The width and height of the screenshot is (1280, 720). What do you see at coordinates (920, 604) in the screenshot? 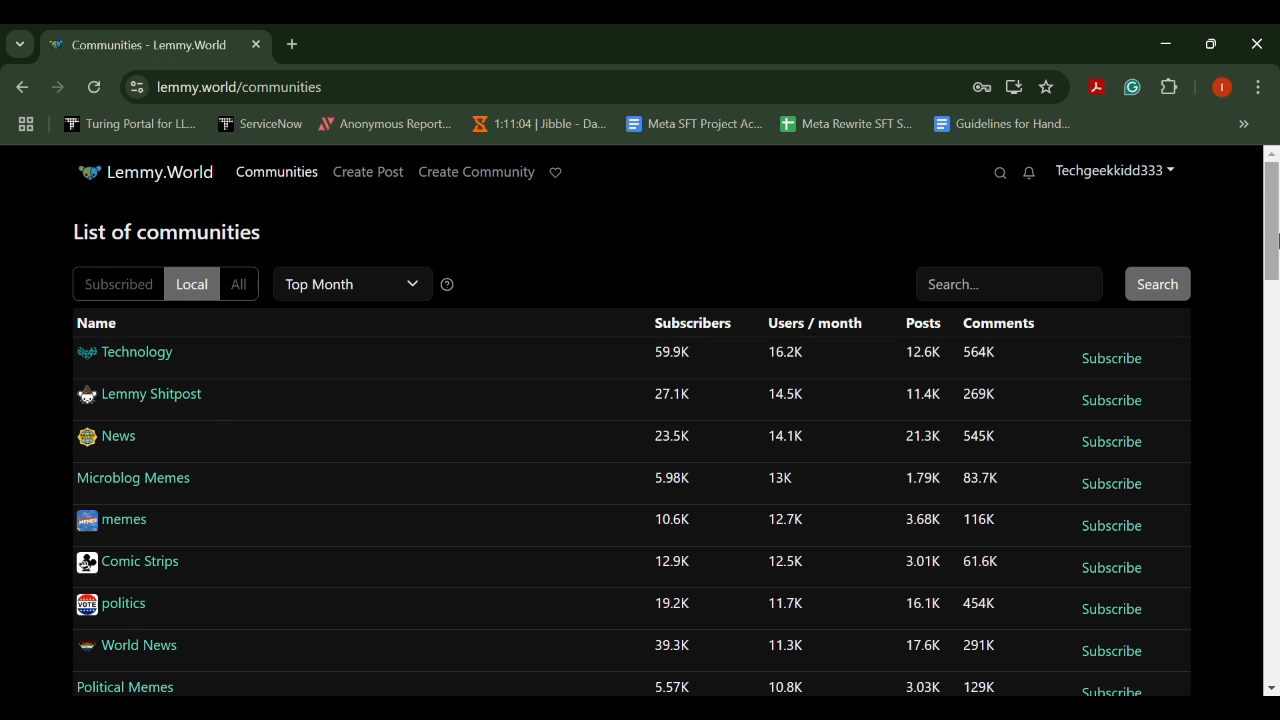
I see `16.1K` at bounding box center [920, 604].